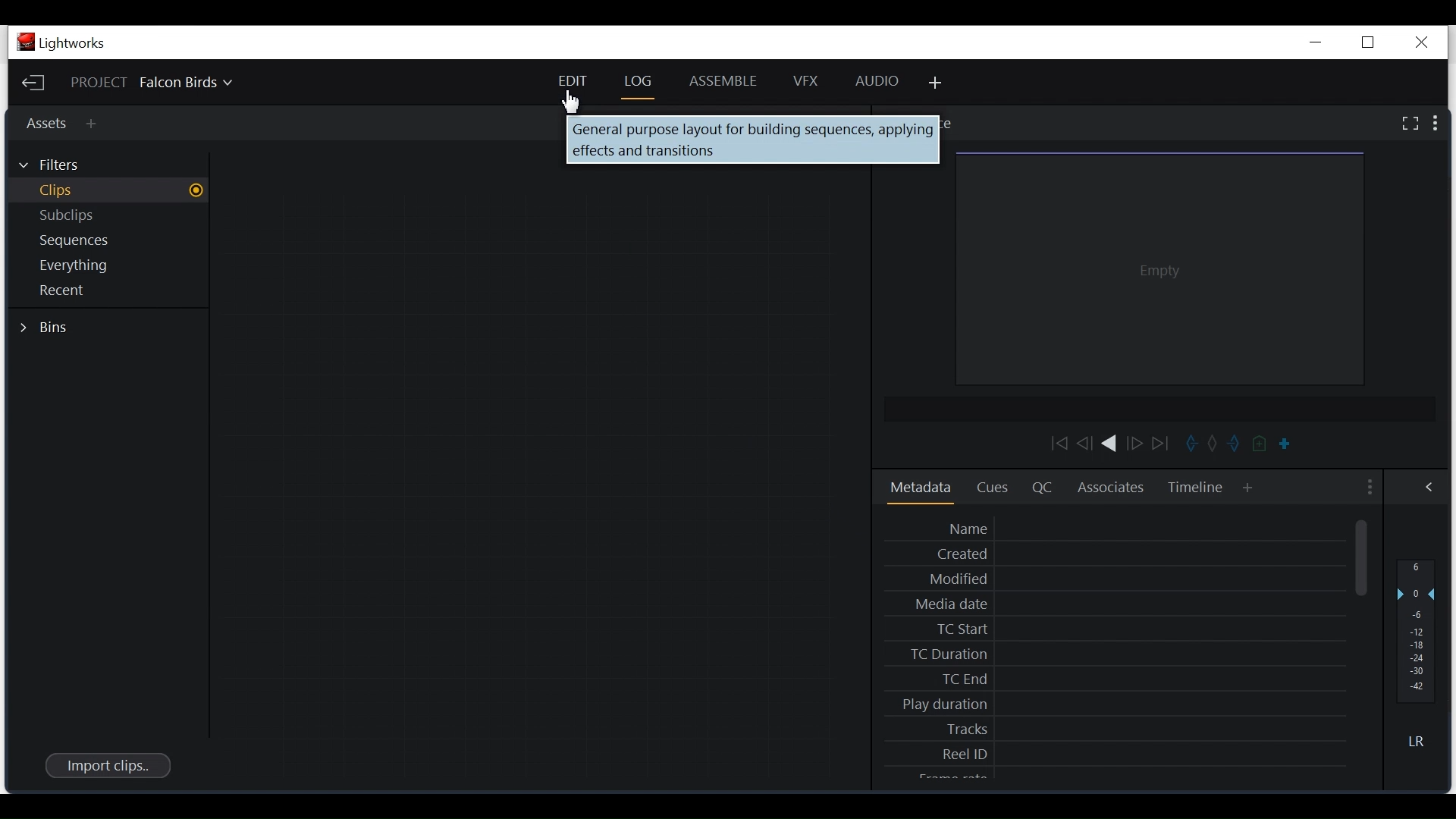  I want to click on Filters, so click(60, 163).